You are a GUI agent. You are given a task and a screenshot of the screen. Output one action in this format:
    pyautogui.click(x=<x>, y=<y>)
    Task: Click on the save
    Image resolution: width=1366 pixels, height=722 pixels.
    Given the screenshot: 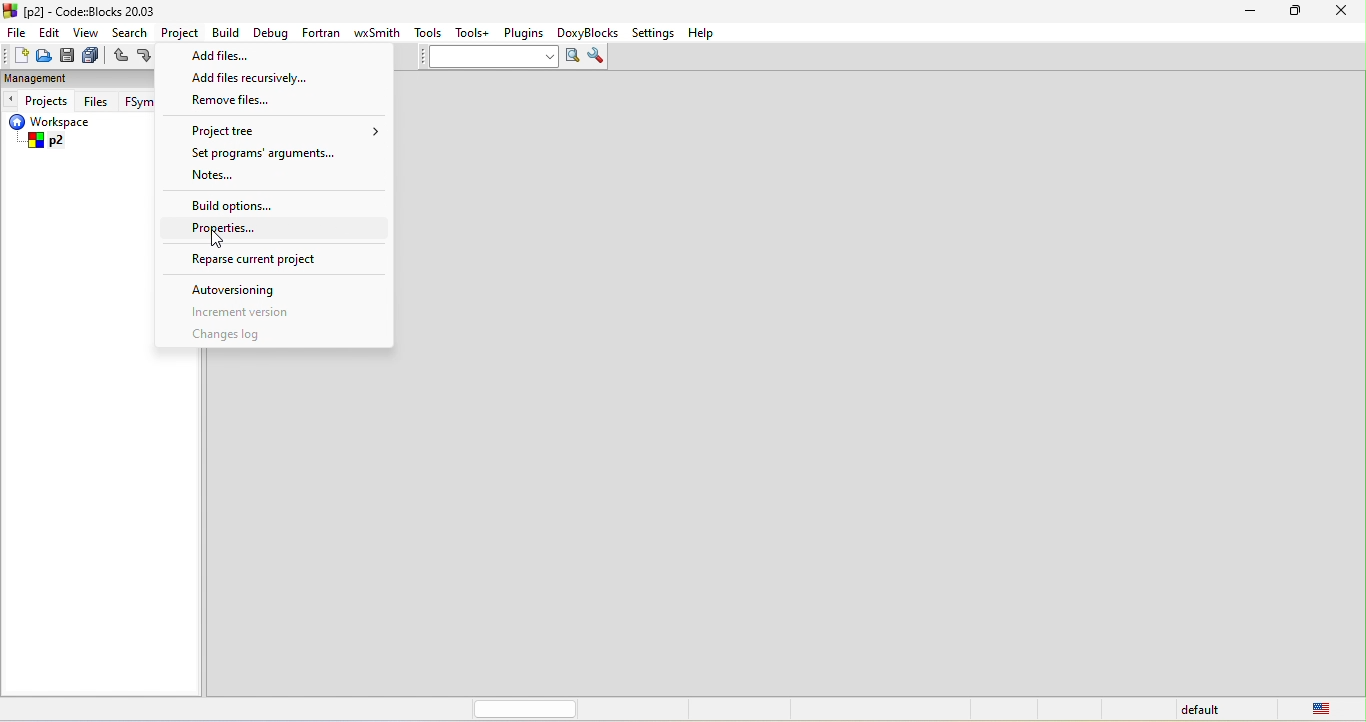 What is the action you would take?
    pyautogui.click(x=68, y=55)
    